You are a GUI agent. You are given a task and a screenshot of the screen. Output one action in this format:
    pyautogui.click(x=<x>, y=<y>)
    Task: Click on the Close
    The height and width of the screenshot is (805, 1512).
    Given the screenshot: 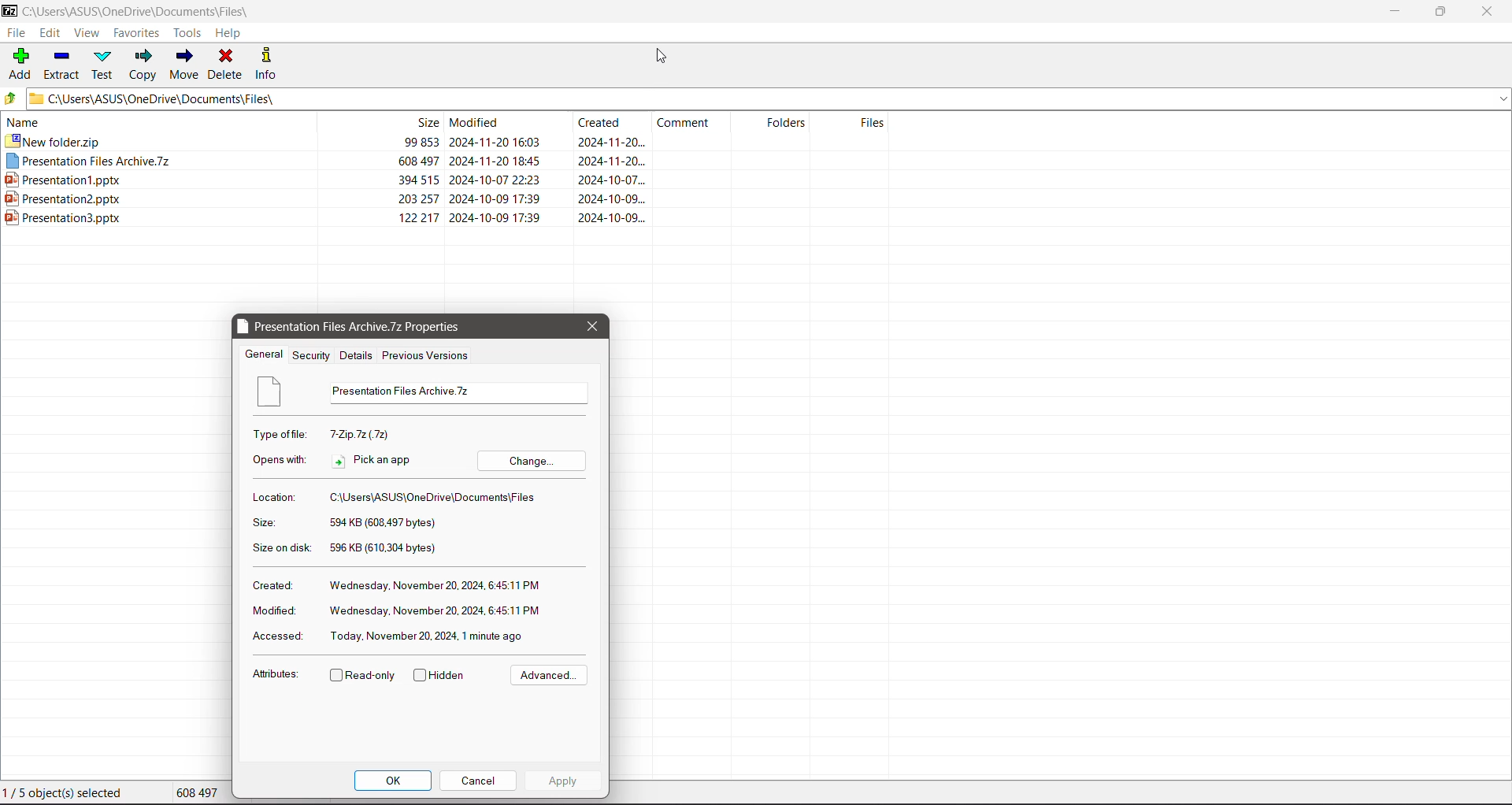 What is the action you would take?
    pyautogui.click(x=1488, y=11)
    